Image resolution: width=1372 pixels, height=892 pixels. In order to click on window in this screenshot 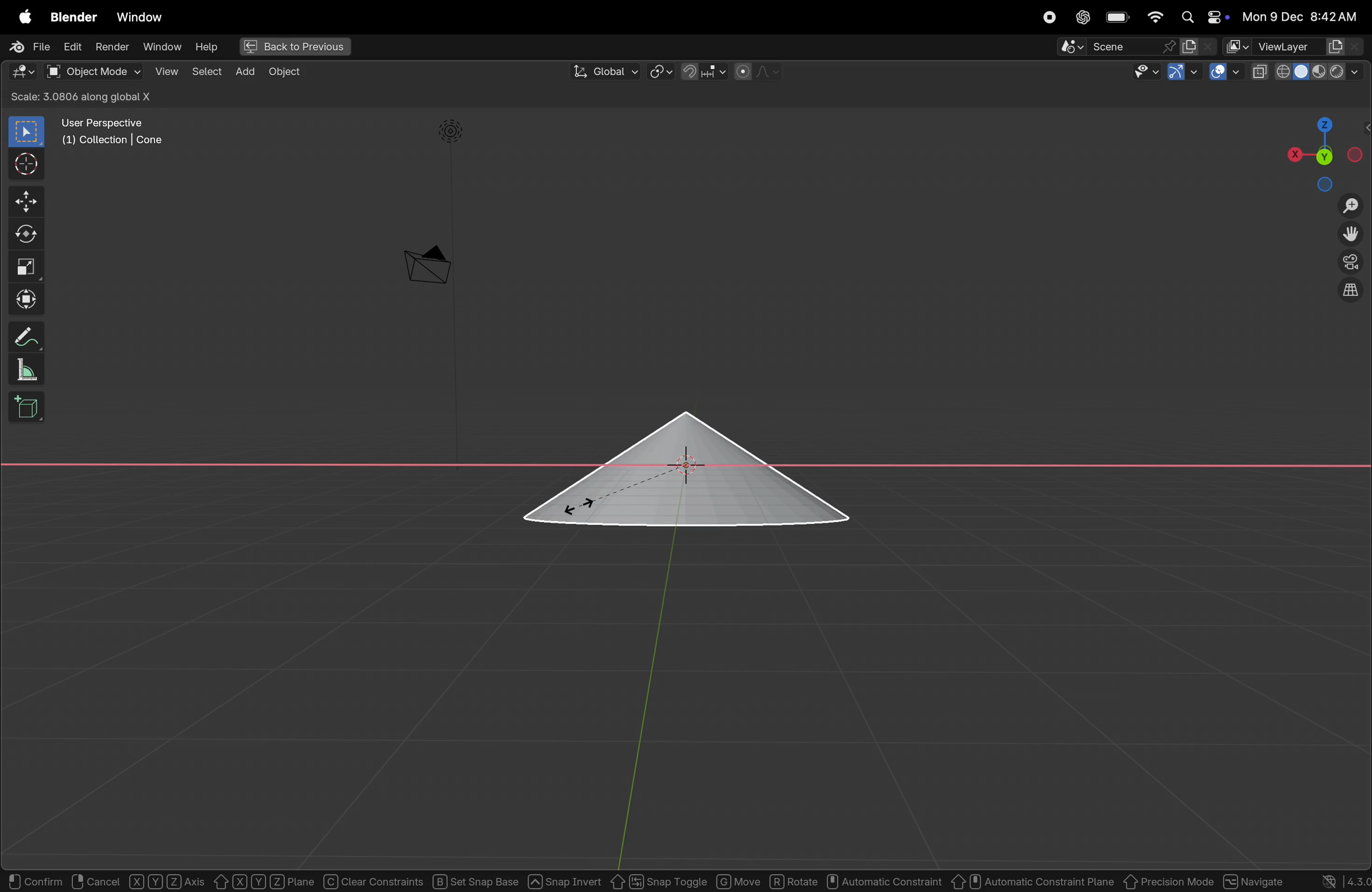, I will do `click(163, 48)`.